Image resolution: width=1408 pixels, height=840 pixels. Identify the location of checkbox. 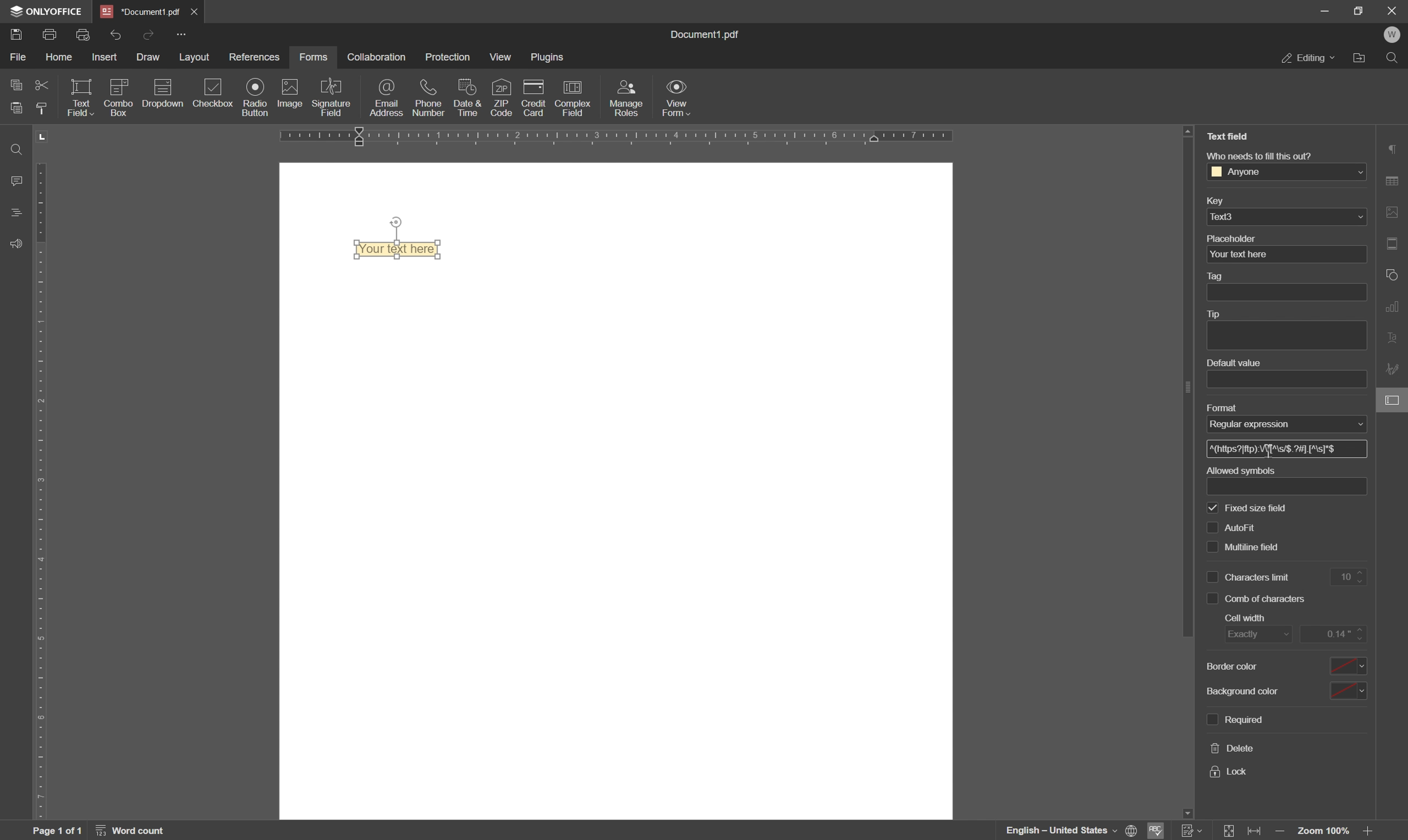
(1212, 550).